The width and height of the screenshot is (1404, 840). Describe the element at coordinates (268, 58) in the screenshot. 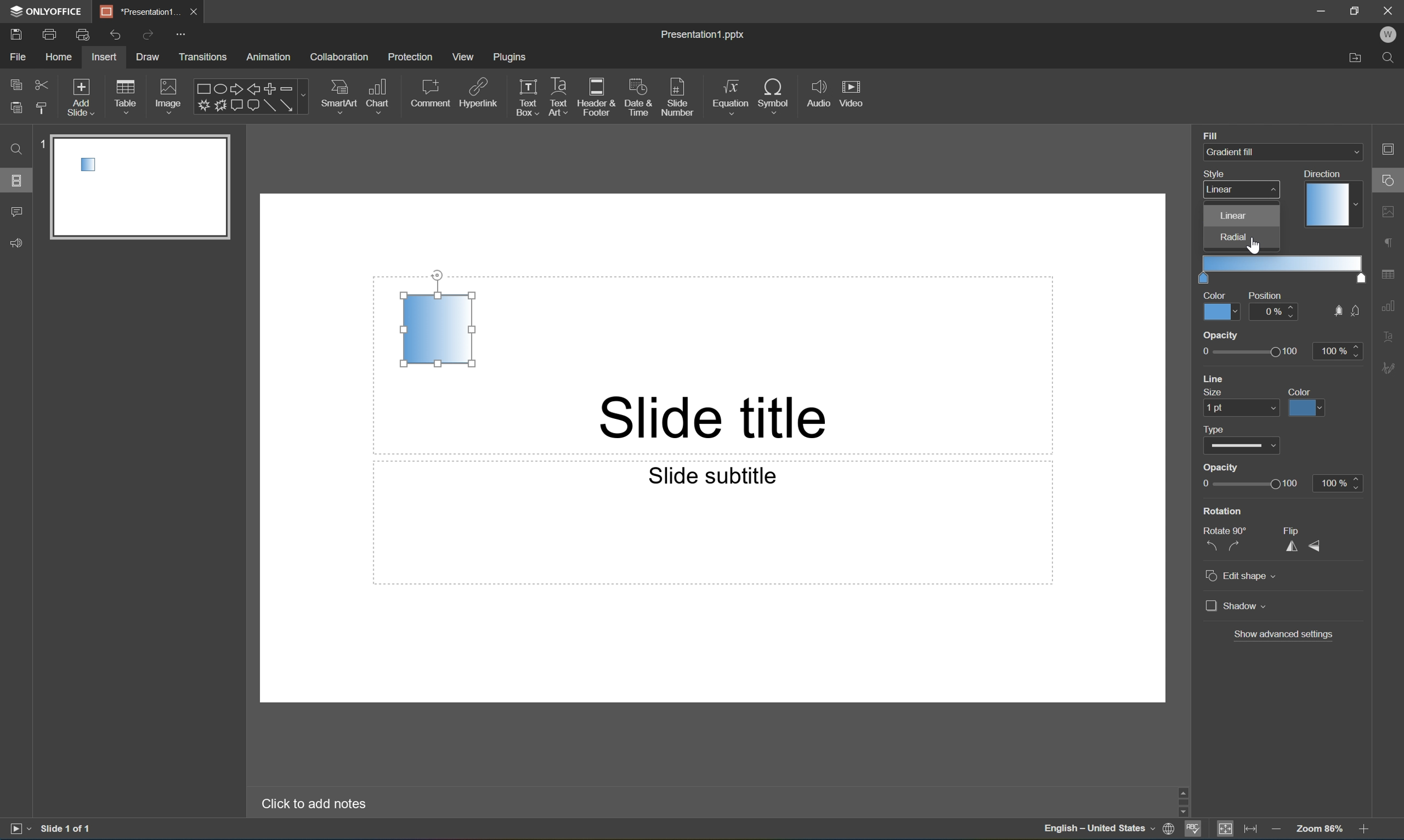

I see `Animation` at that location.